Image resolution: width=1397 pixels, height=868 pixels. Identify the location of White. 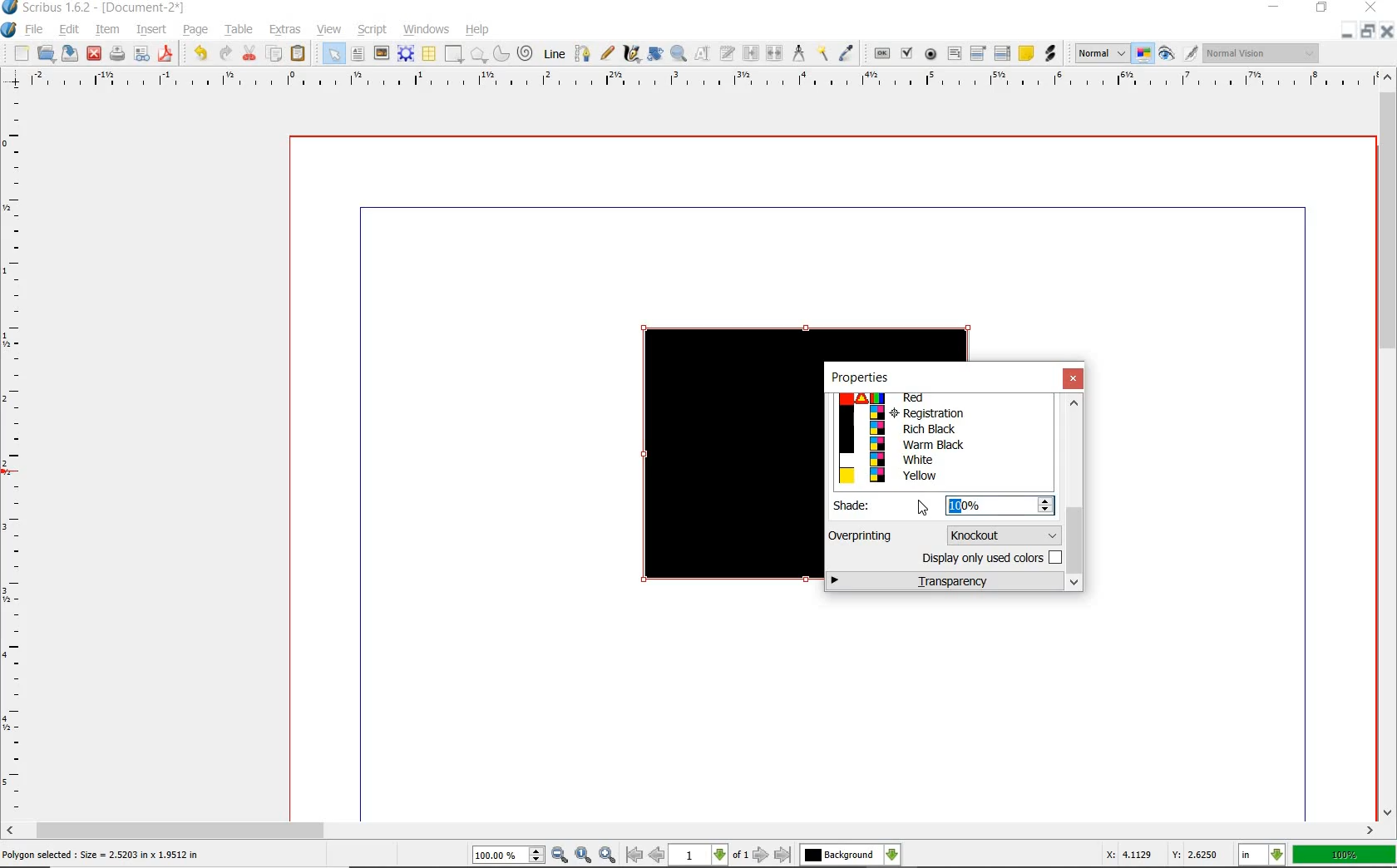
(940, 459).